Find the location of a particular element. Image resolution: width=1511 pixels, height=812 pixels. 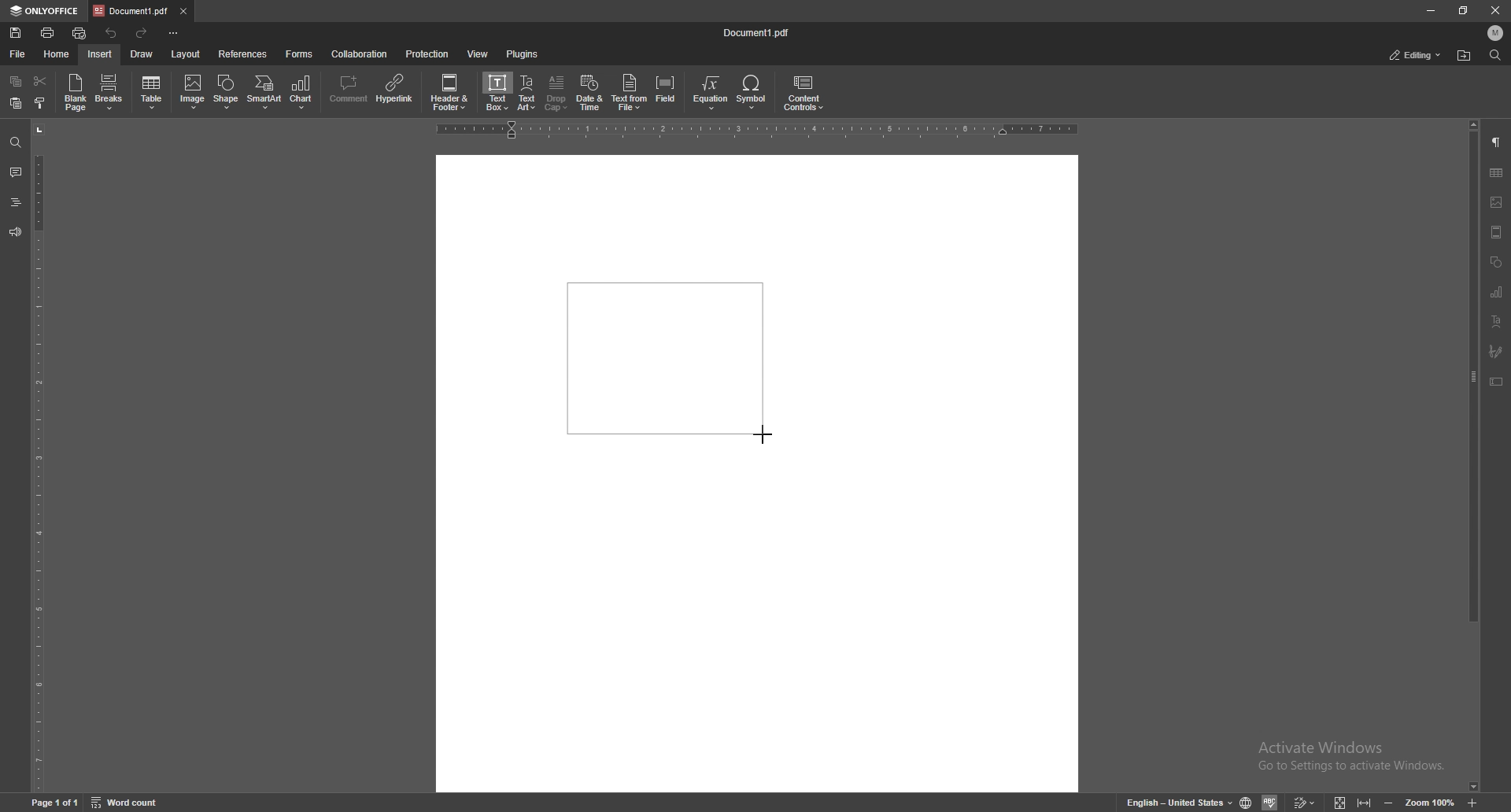

copy style is located at coordinates (40, 104).